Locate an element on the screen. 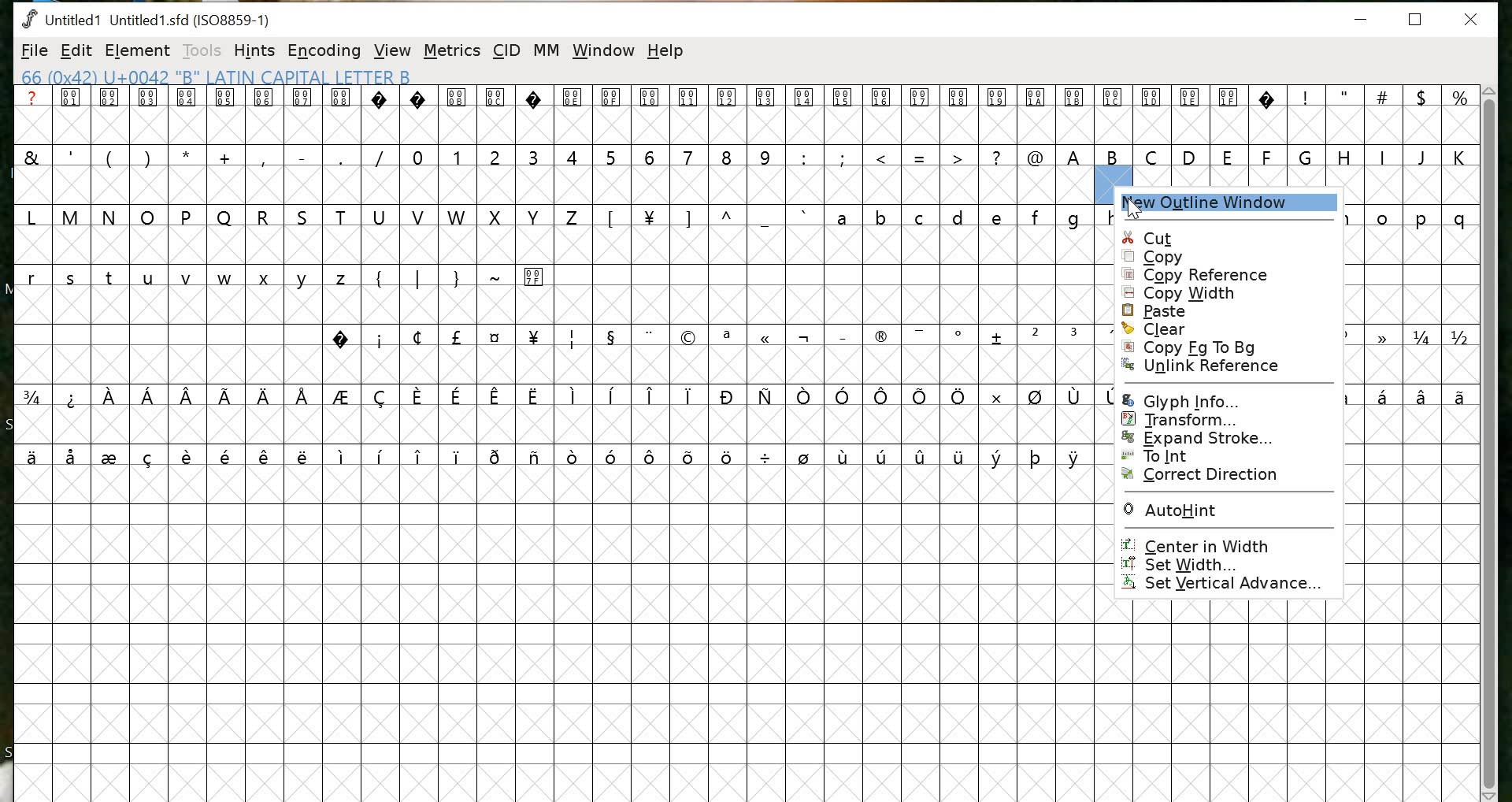 This screenshot has width=1512, height=802. FILE is located at coordinates (33, 51).